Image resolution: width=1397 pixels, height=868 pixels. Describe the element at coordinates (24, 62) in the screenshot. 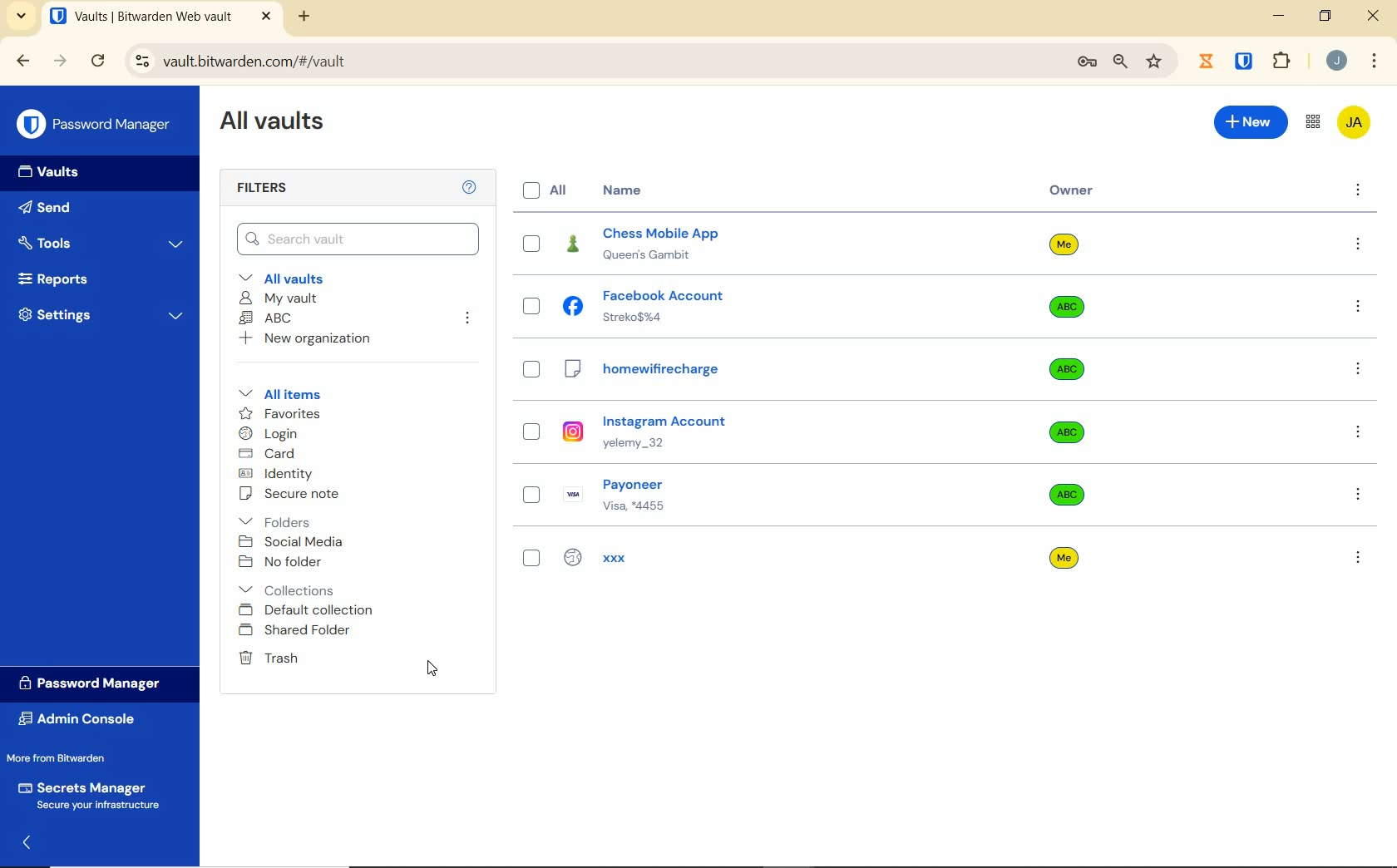

I see `backward` at that location.